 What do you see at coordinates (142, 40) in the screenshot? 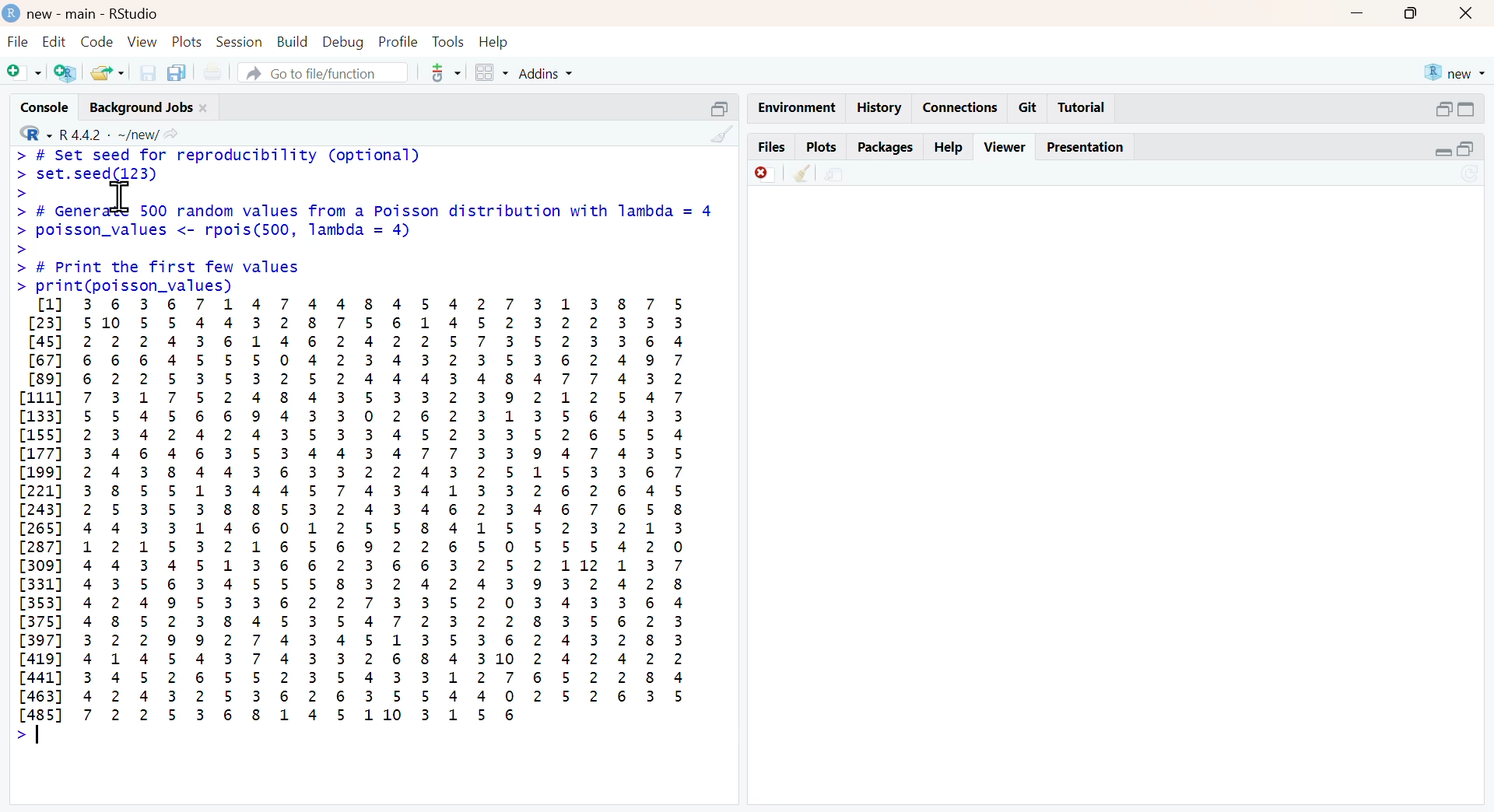
I see `view` at bounding box center [142, 40].